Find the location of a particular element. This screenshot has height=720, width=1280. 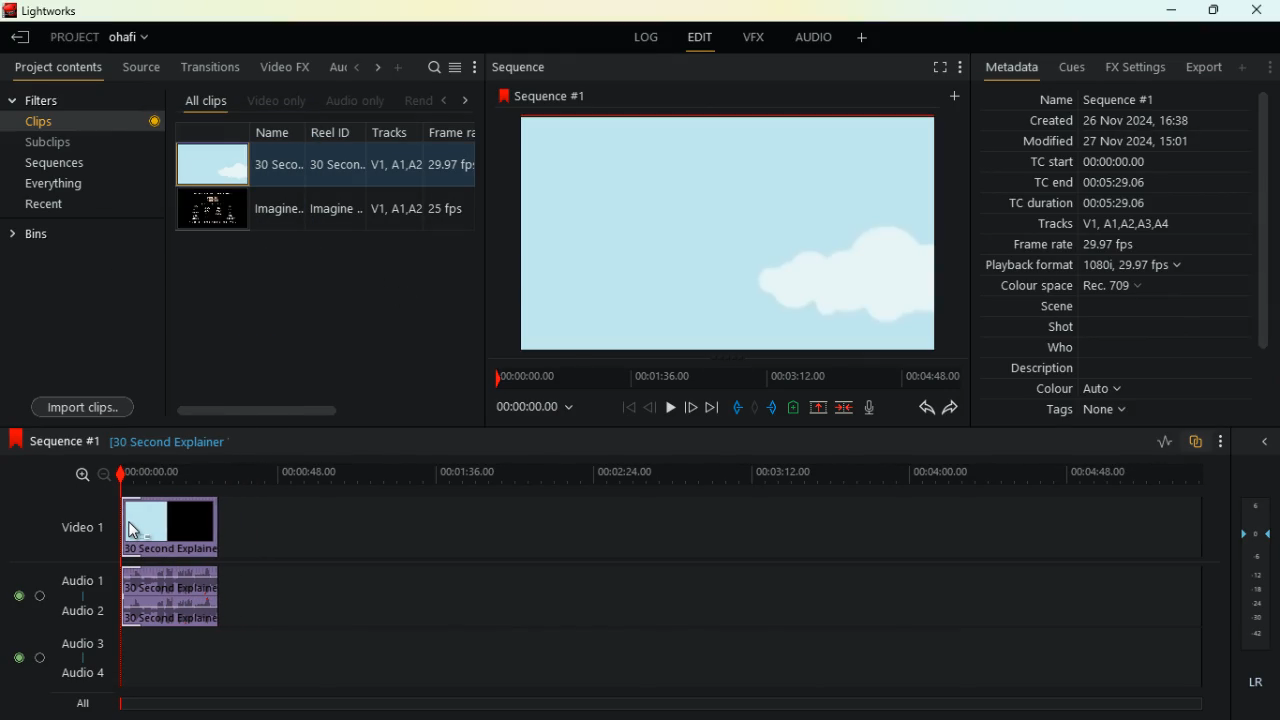

tc start 00:00:00:00 is located at coordinates (1113, 163).